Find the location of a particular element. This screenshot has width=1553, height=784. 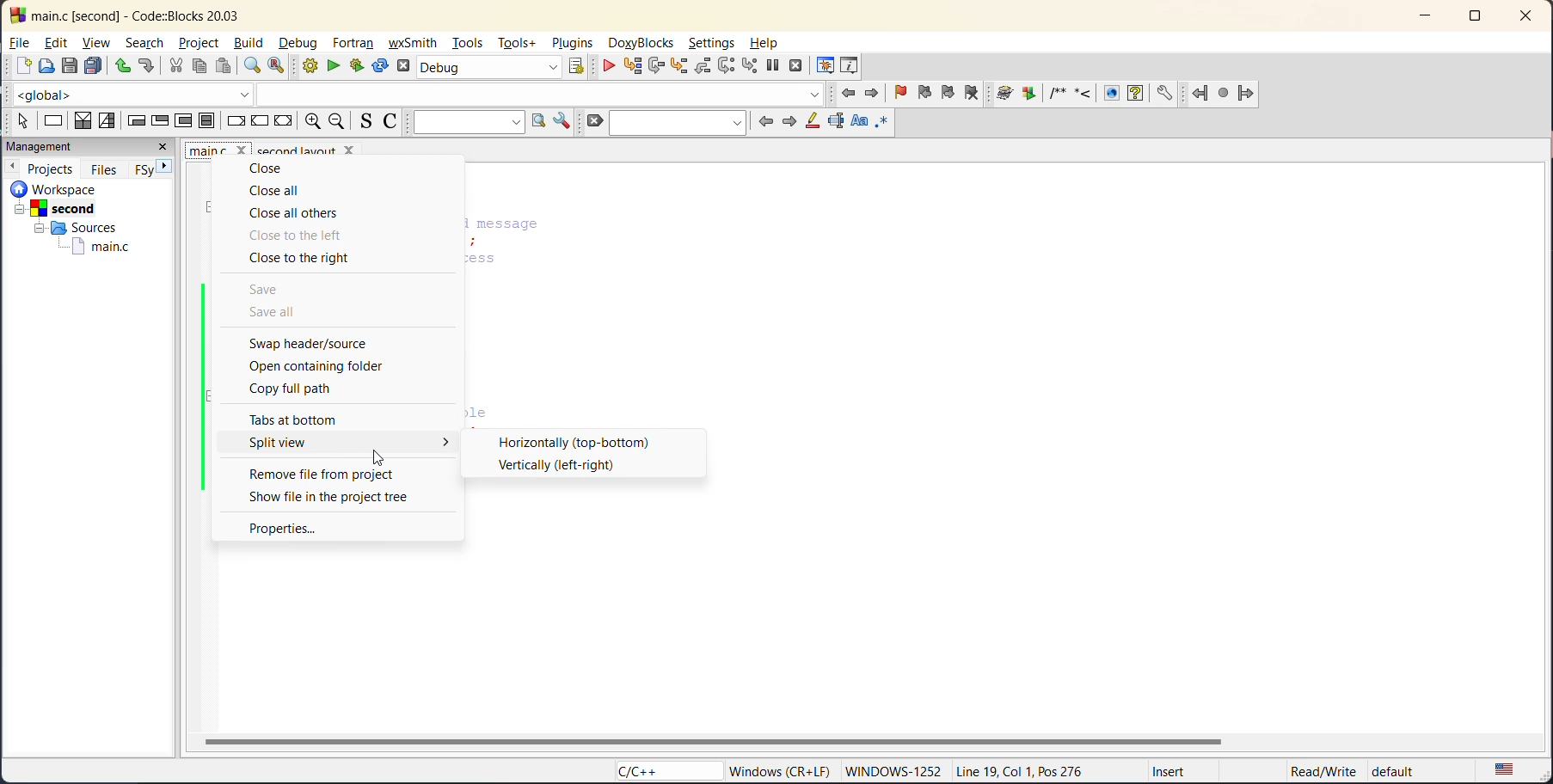

continue instruction is located at coordinates (258, 120).